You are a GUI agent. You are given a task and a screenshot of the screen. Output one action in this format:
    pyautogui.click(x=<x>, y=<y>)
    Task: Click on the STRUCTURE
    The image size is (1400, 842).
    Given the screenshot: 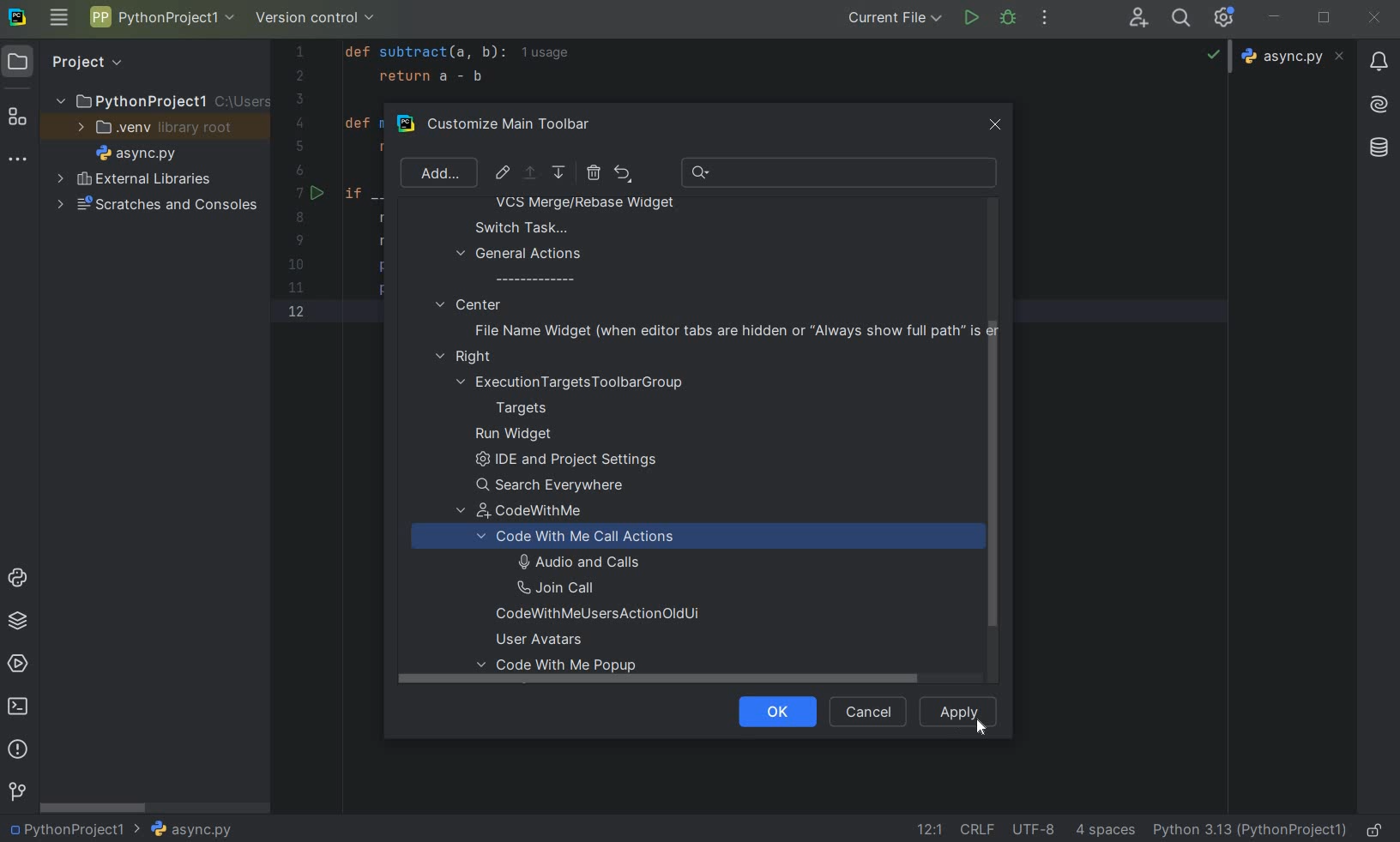 What is the action you would take?
    pyautogui.click(x=19, y=119)
    